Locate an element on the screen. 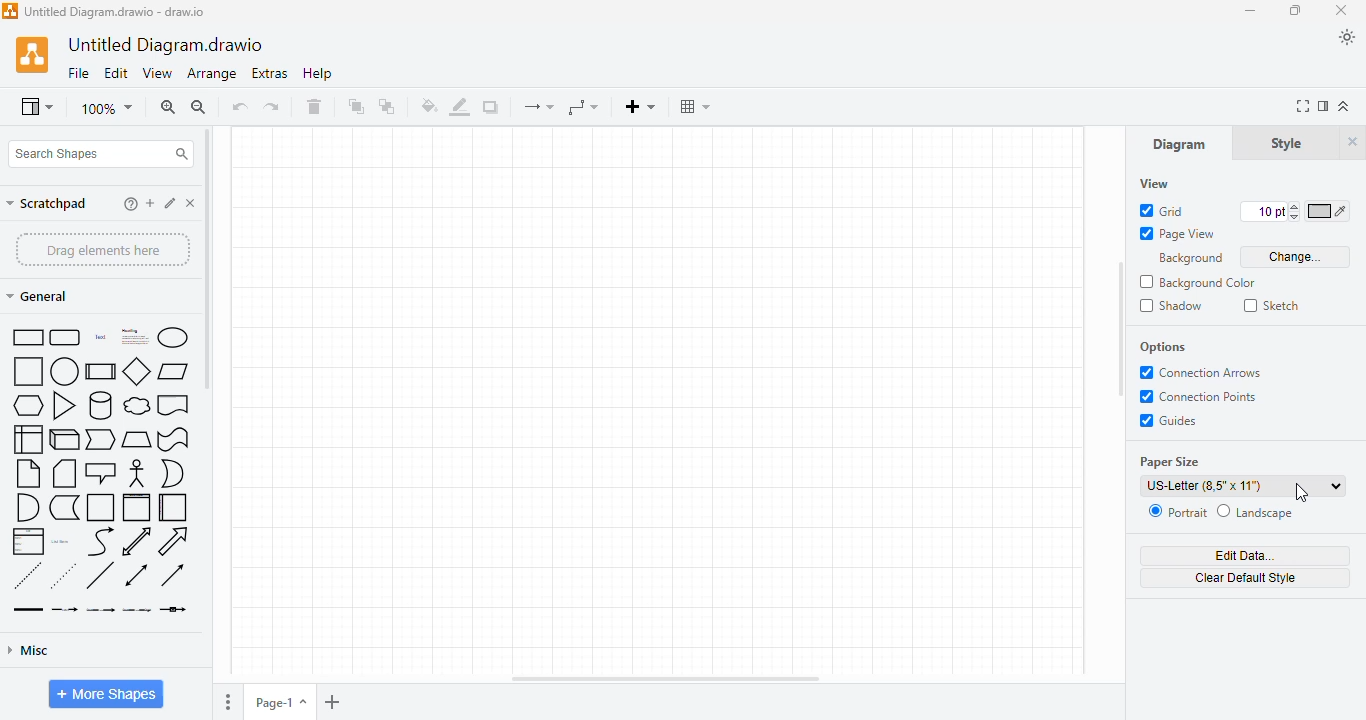  options is located at coordinates (229, 703).